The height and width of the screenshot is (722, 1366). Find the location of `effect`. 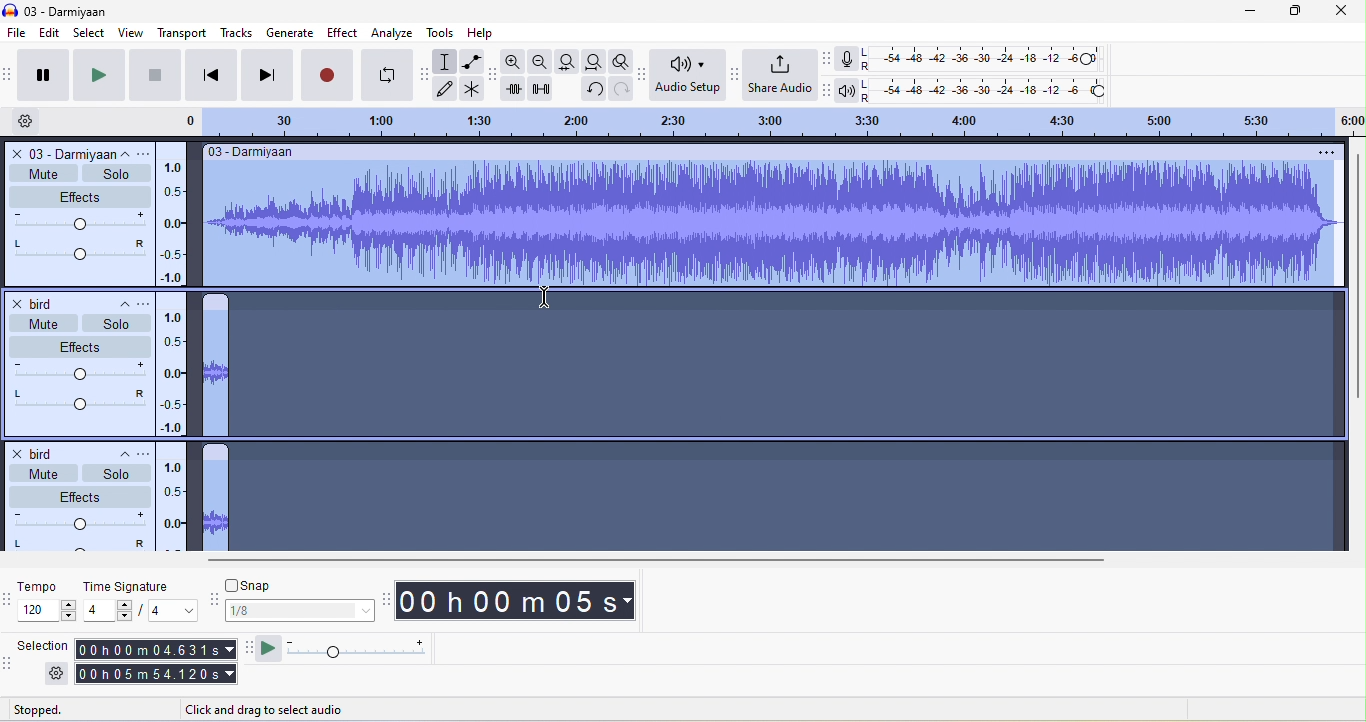

effect is located at coordinates (78, 196).